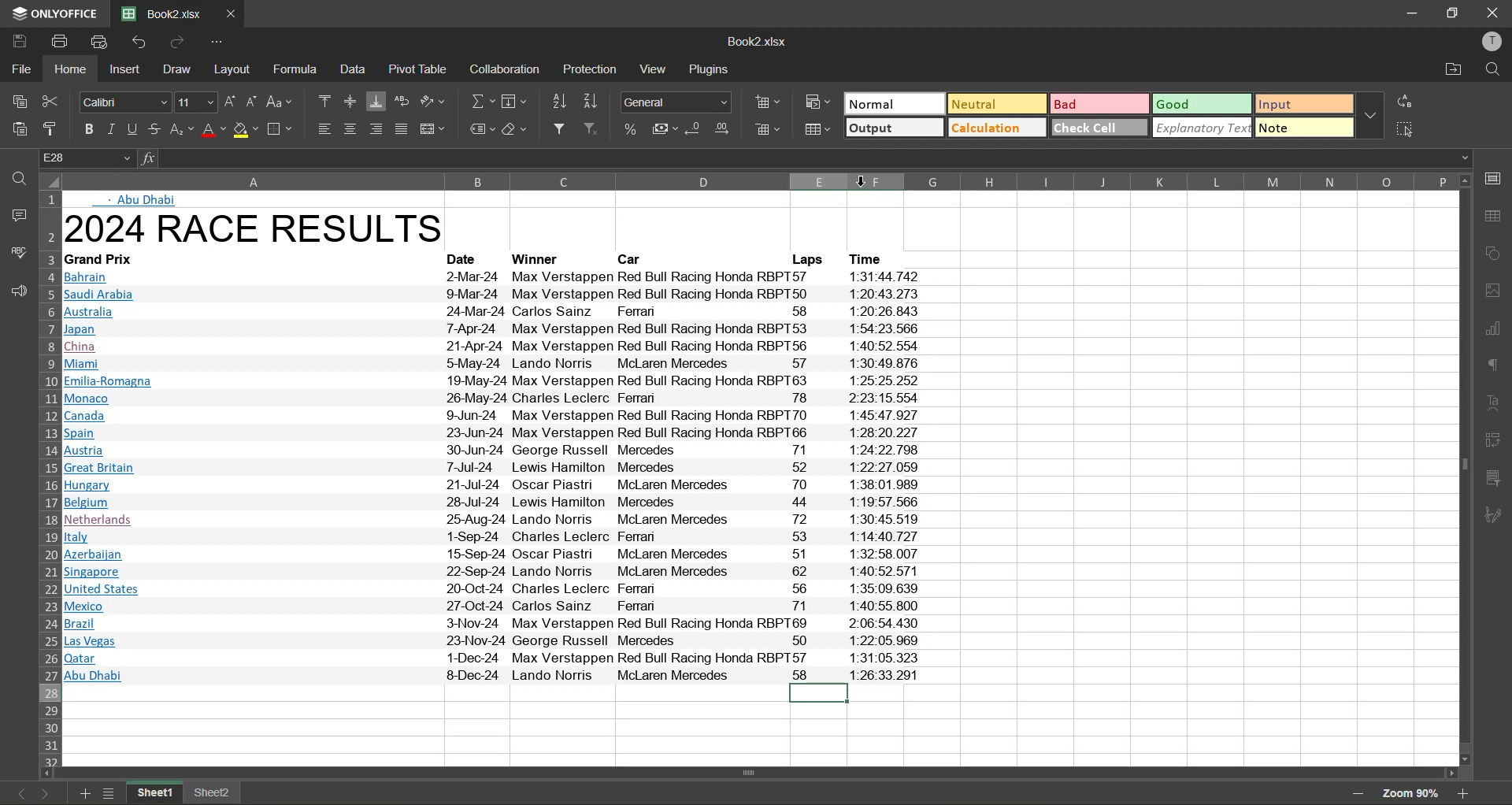  Describe the element at coordinates (86, 793) in the screenshot. I see `add sheet` at that location.